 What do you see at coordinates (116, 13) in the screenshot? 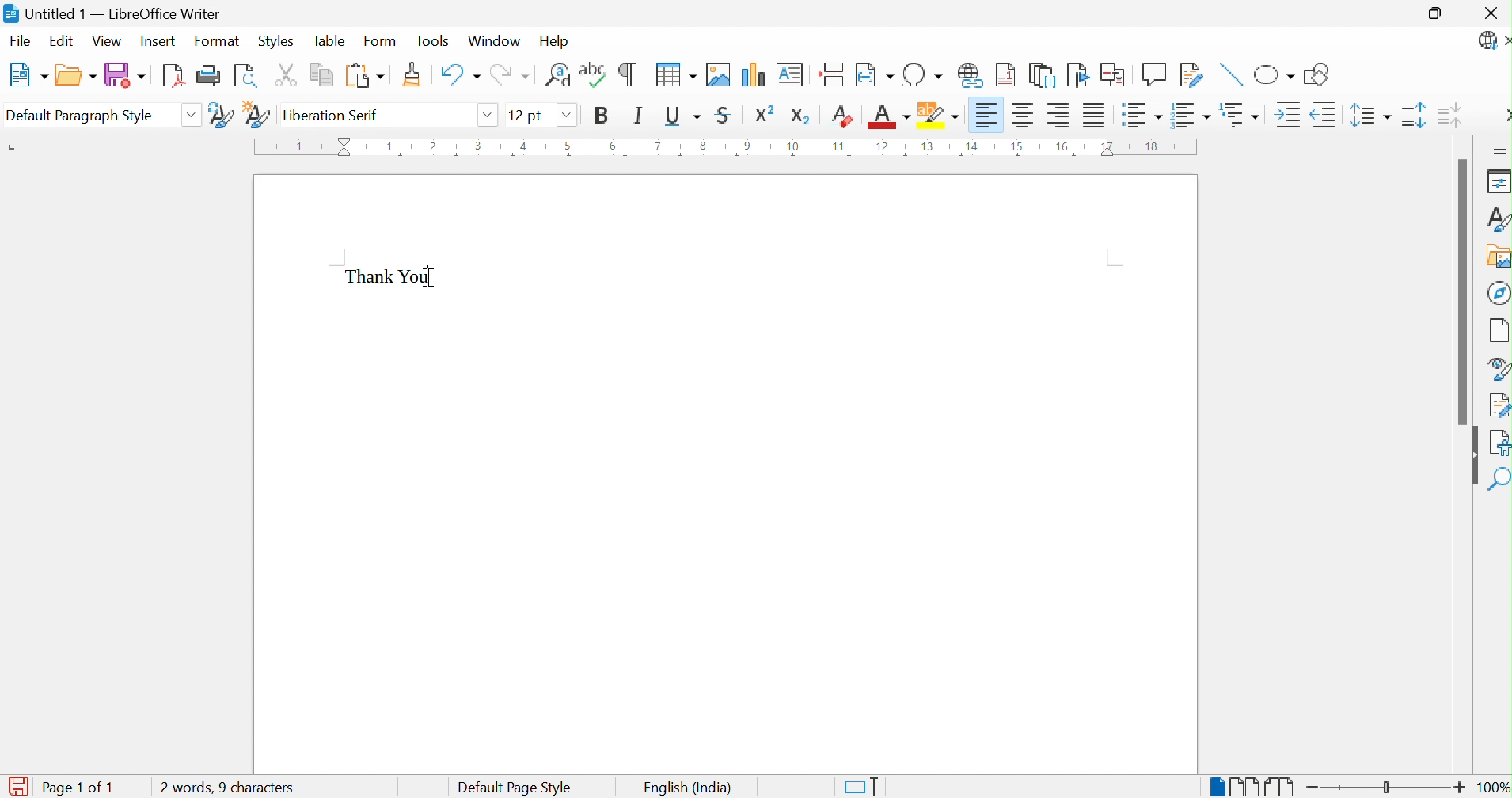
I see `Untitled 1 - LibreOffice Writer ` at bounding box center [116, 13].